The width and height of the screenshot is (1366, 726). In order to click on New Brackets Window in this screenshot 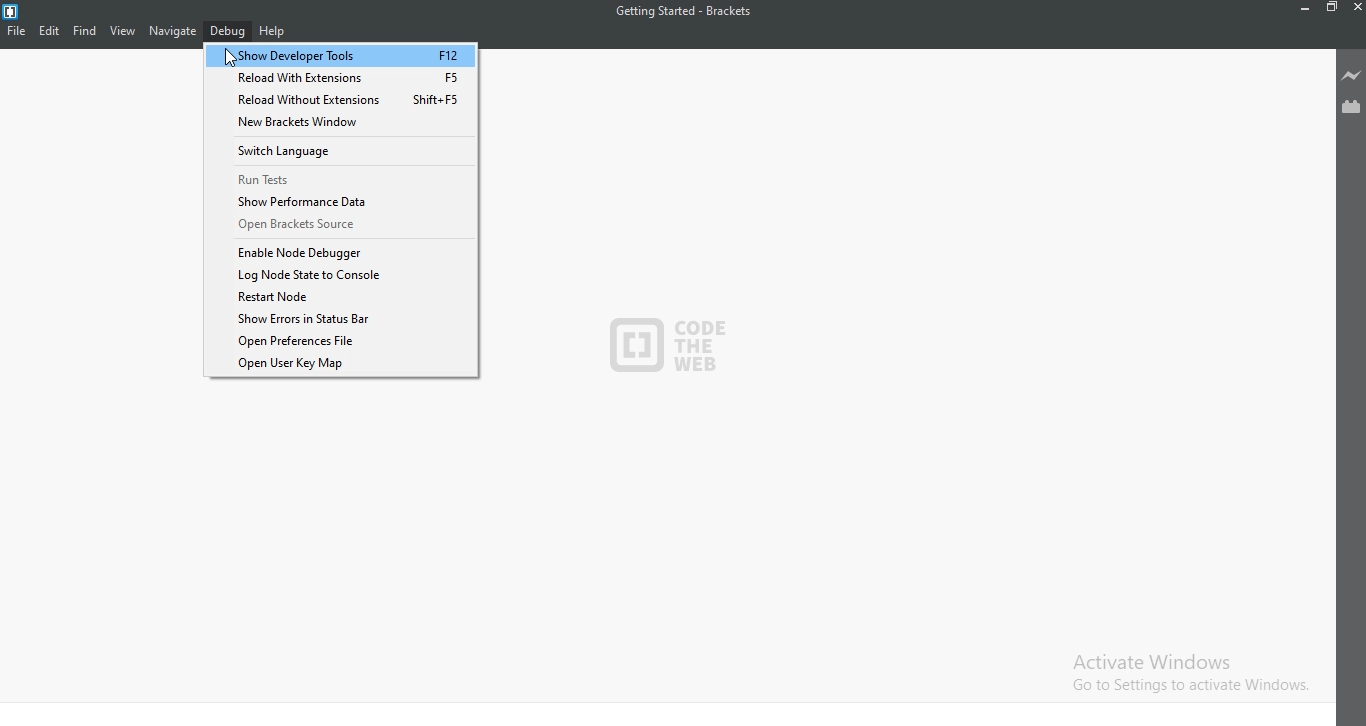, I will do `click(346, 124)`.